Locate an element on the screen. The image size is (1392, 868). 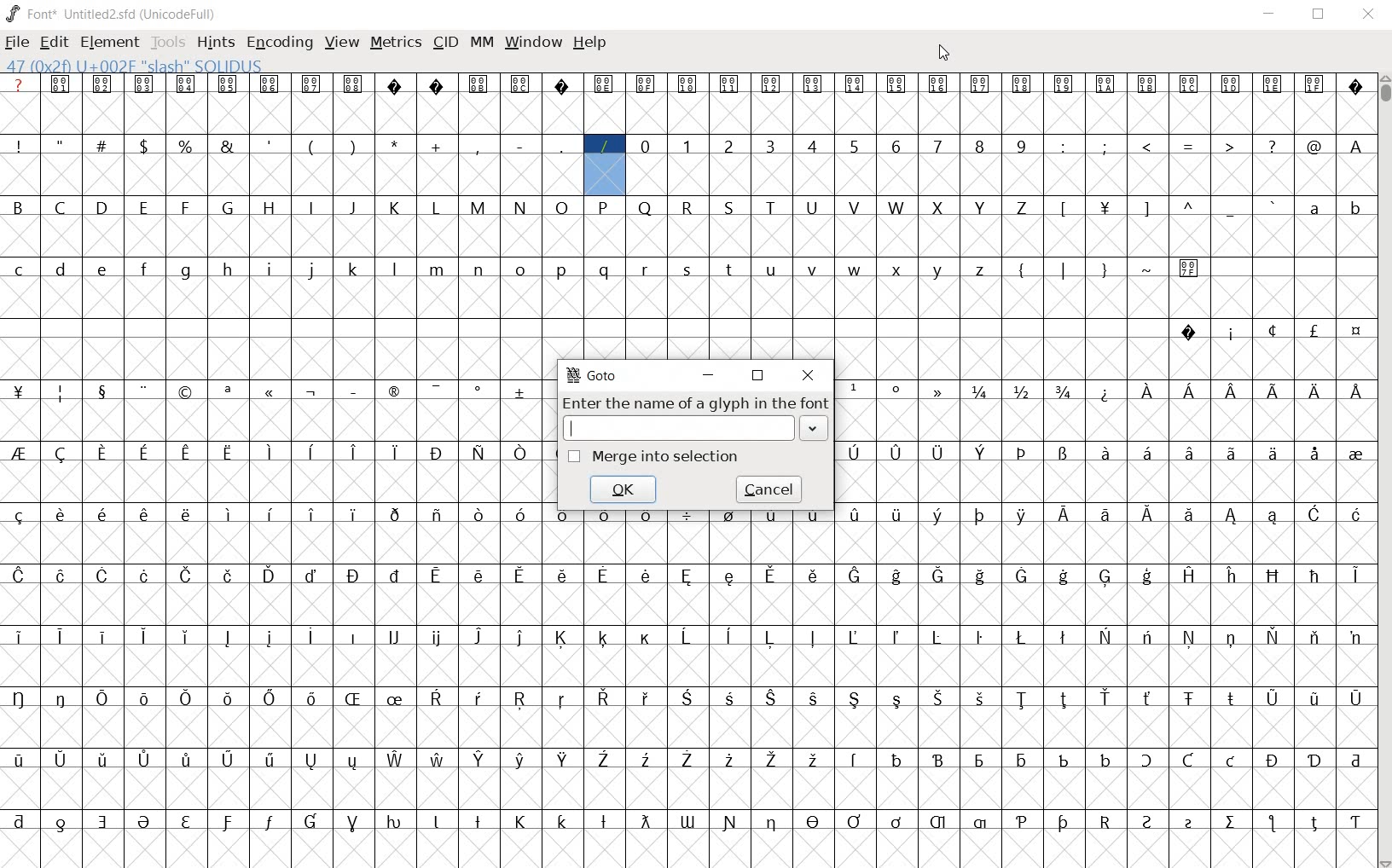
glyph is located at coordinates (187, 698).